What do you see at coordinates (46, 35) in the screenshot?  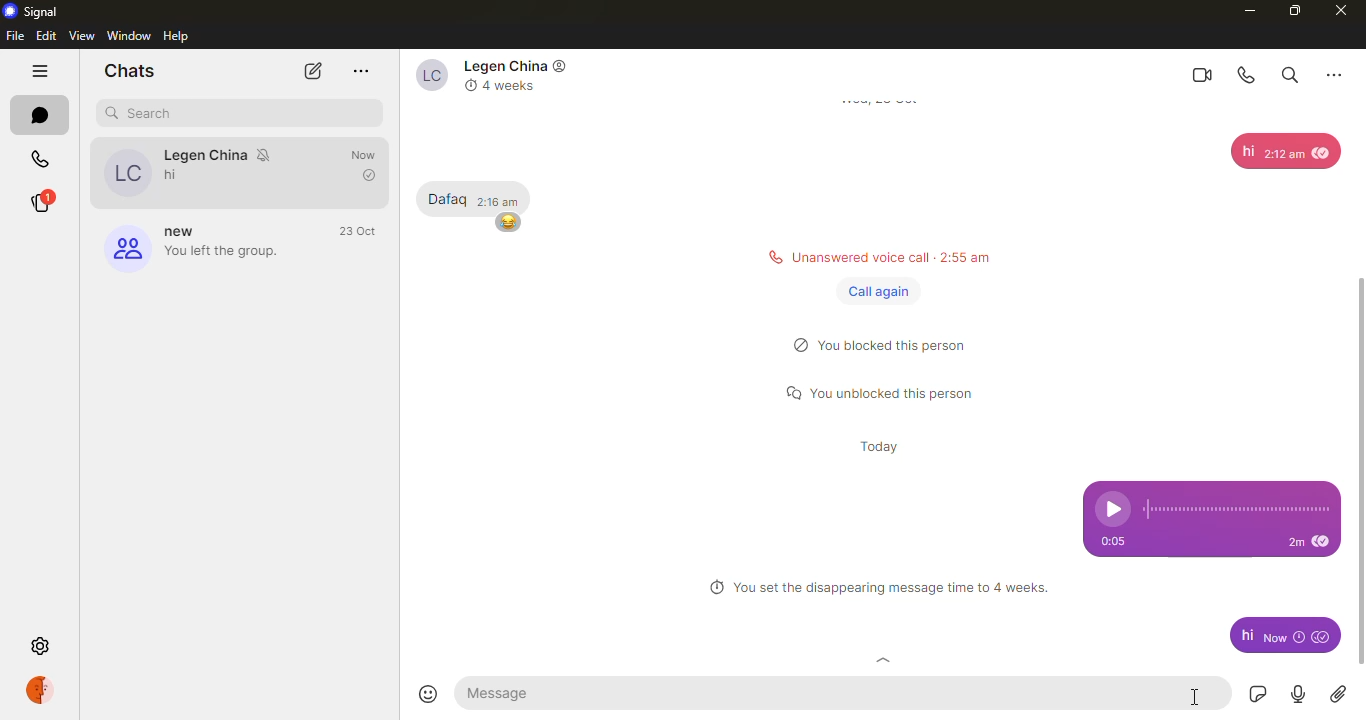 I see `edit` at bounding box center [46, 35].